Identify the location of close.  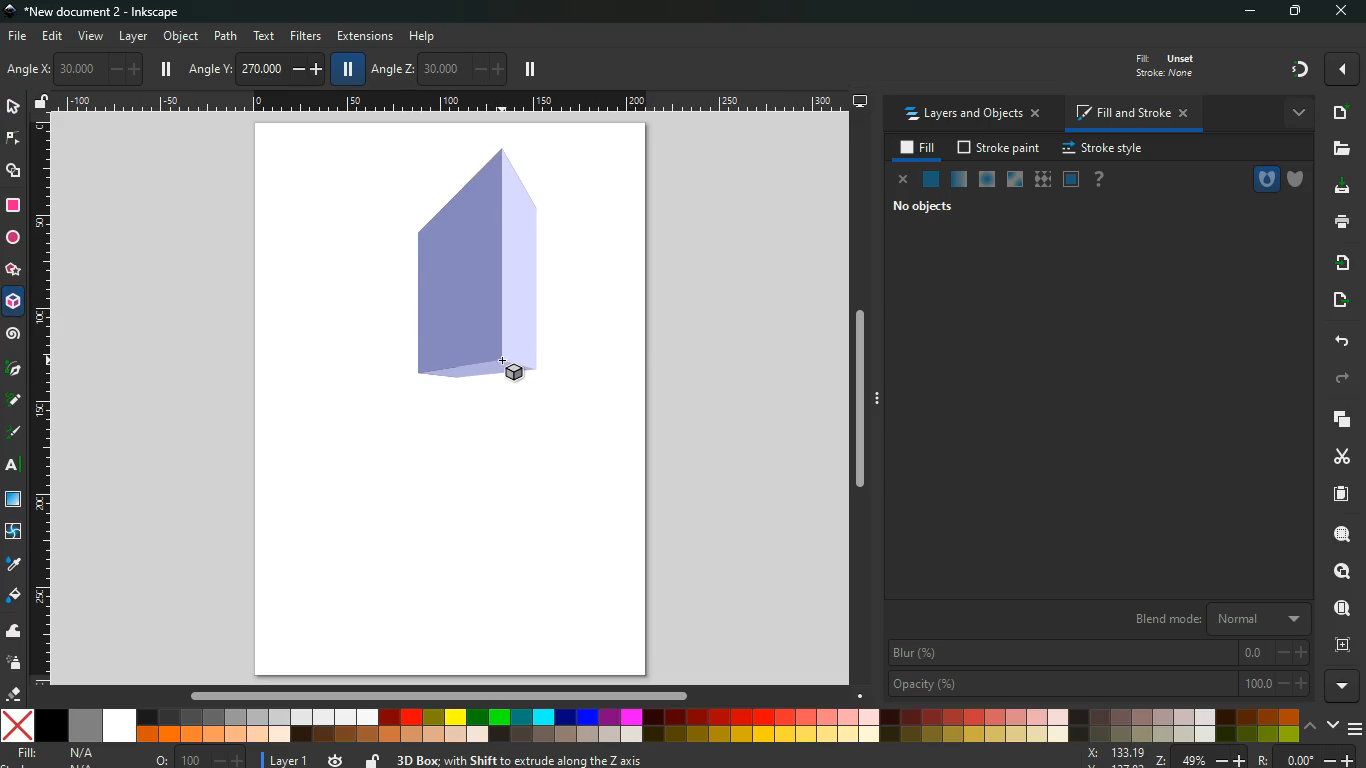
(1340, 12).